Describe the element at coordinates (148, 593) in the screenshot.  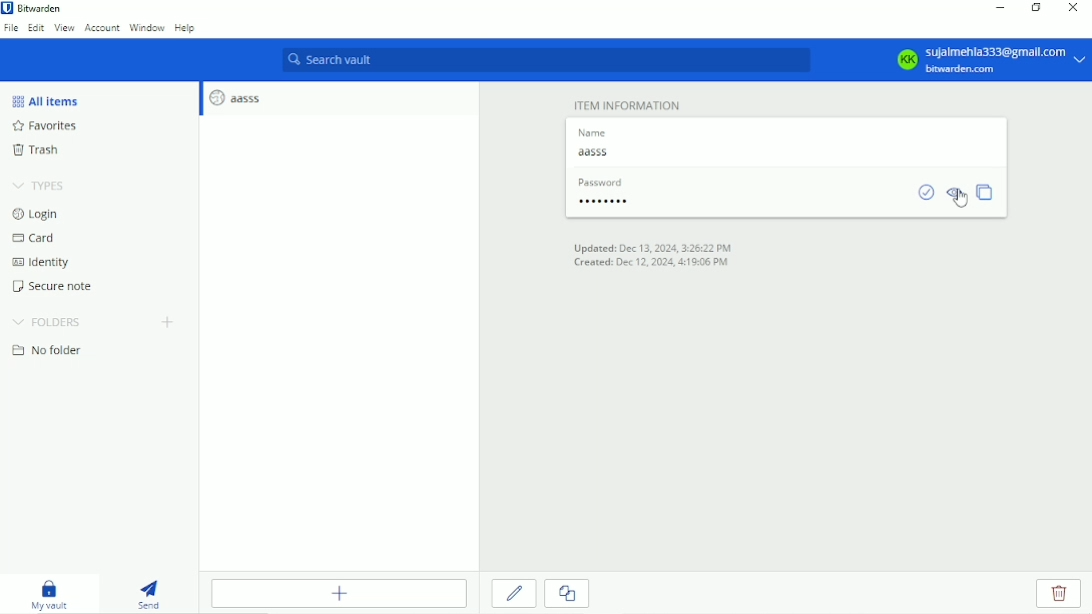
I see `Send` at that location.